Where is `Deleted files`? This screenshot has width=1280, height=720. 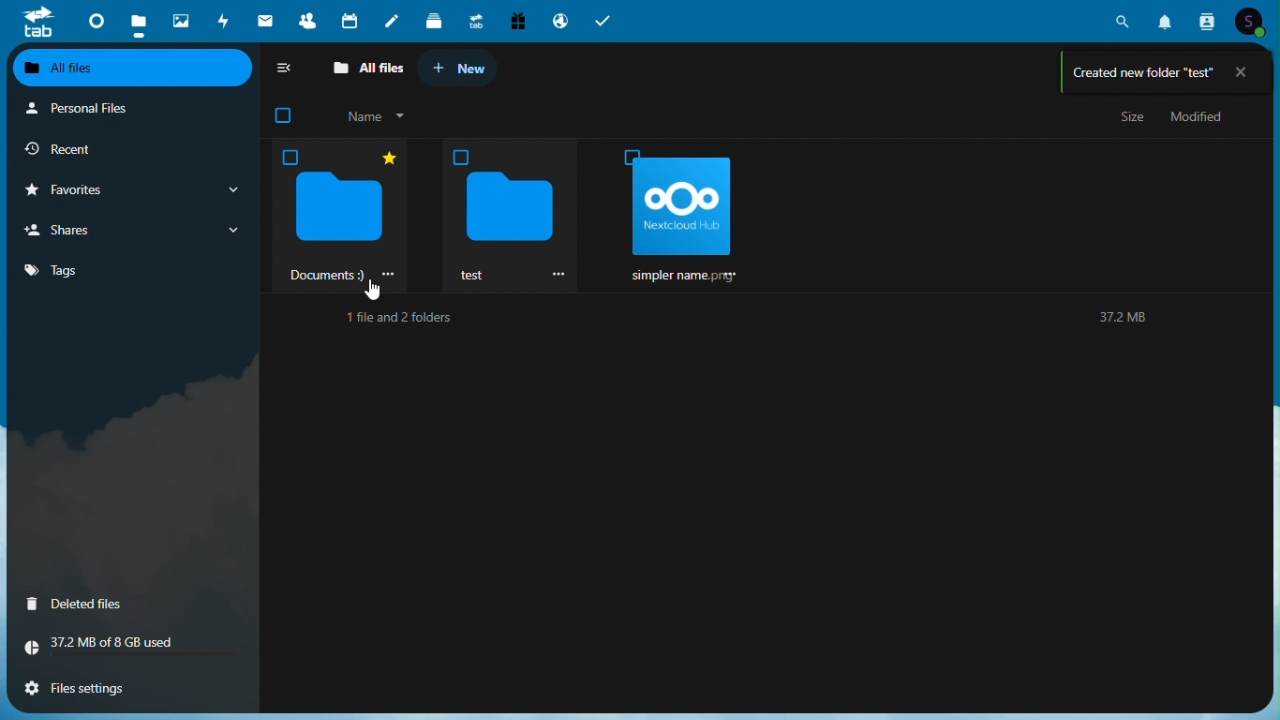 Deleted files is located at coordinates (127, 605).